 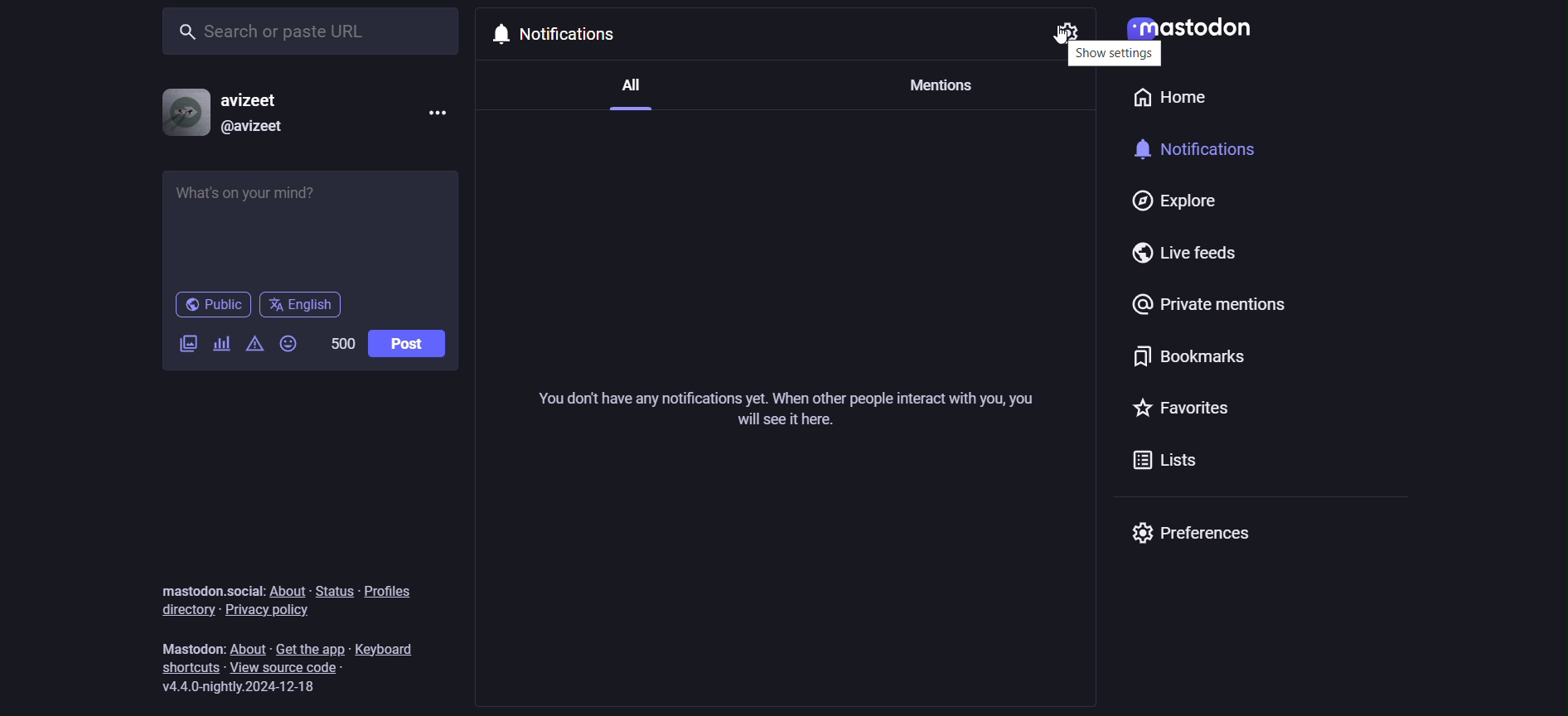 What do you see at coordinates (939, 82) in the screenshot?
I see `mentions` at bounding box center [939, 82].